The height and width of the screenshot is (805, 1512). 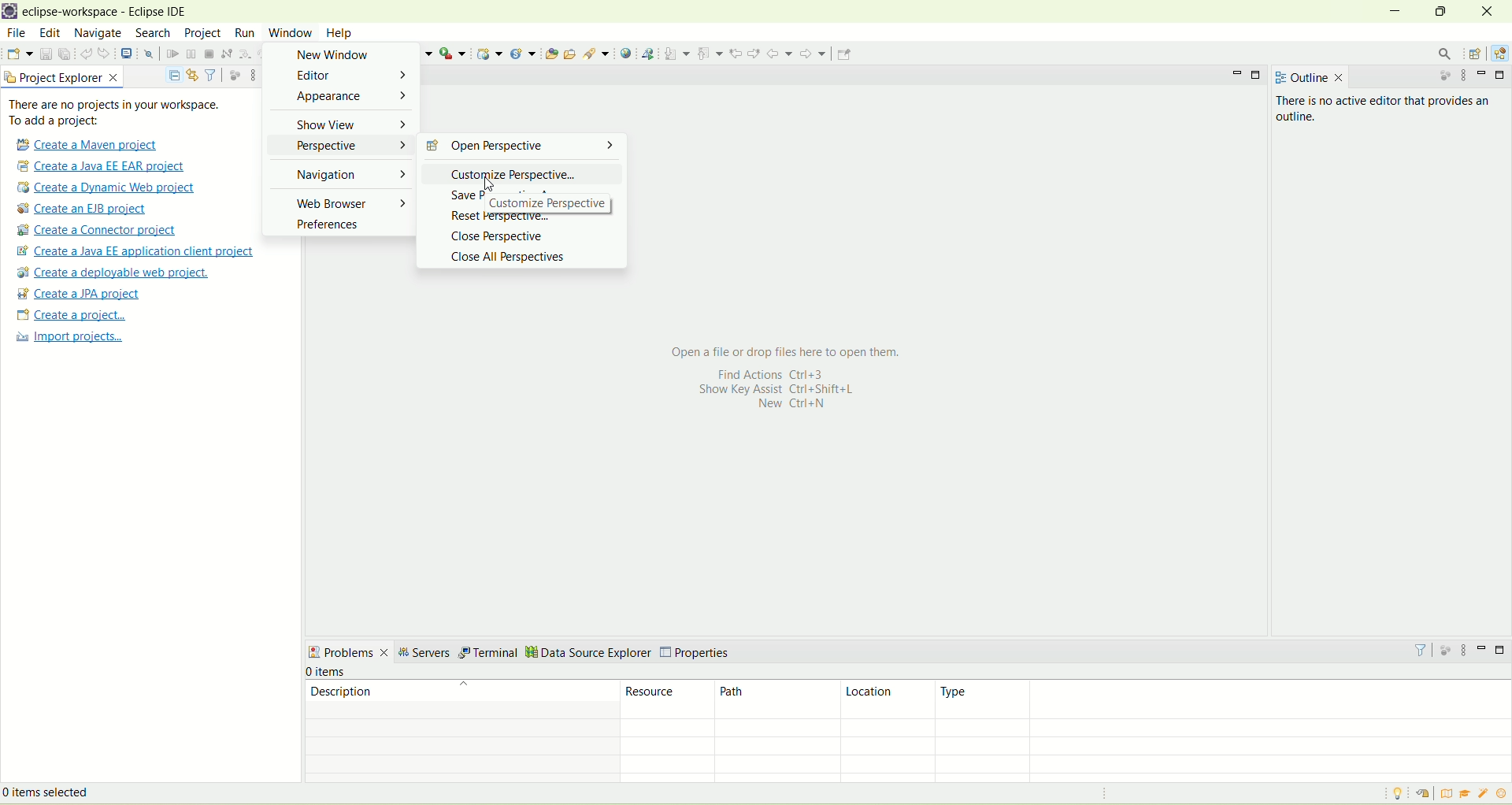 I want to click on description, so click(x=459, y=698).